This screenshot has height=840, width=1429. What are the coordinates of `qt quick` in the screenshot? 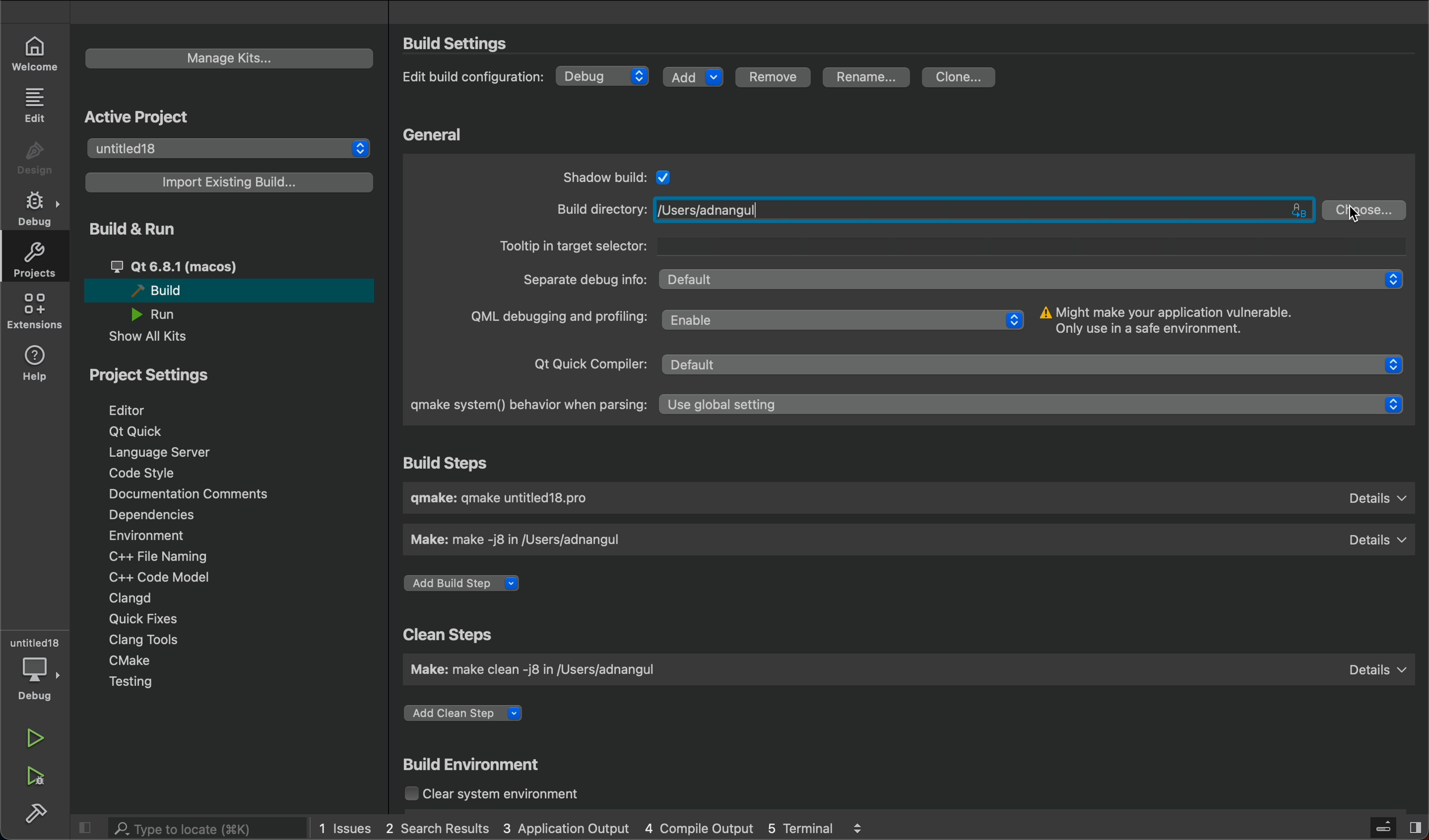 It's located at (150, 431).